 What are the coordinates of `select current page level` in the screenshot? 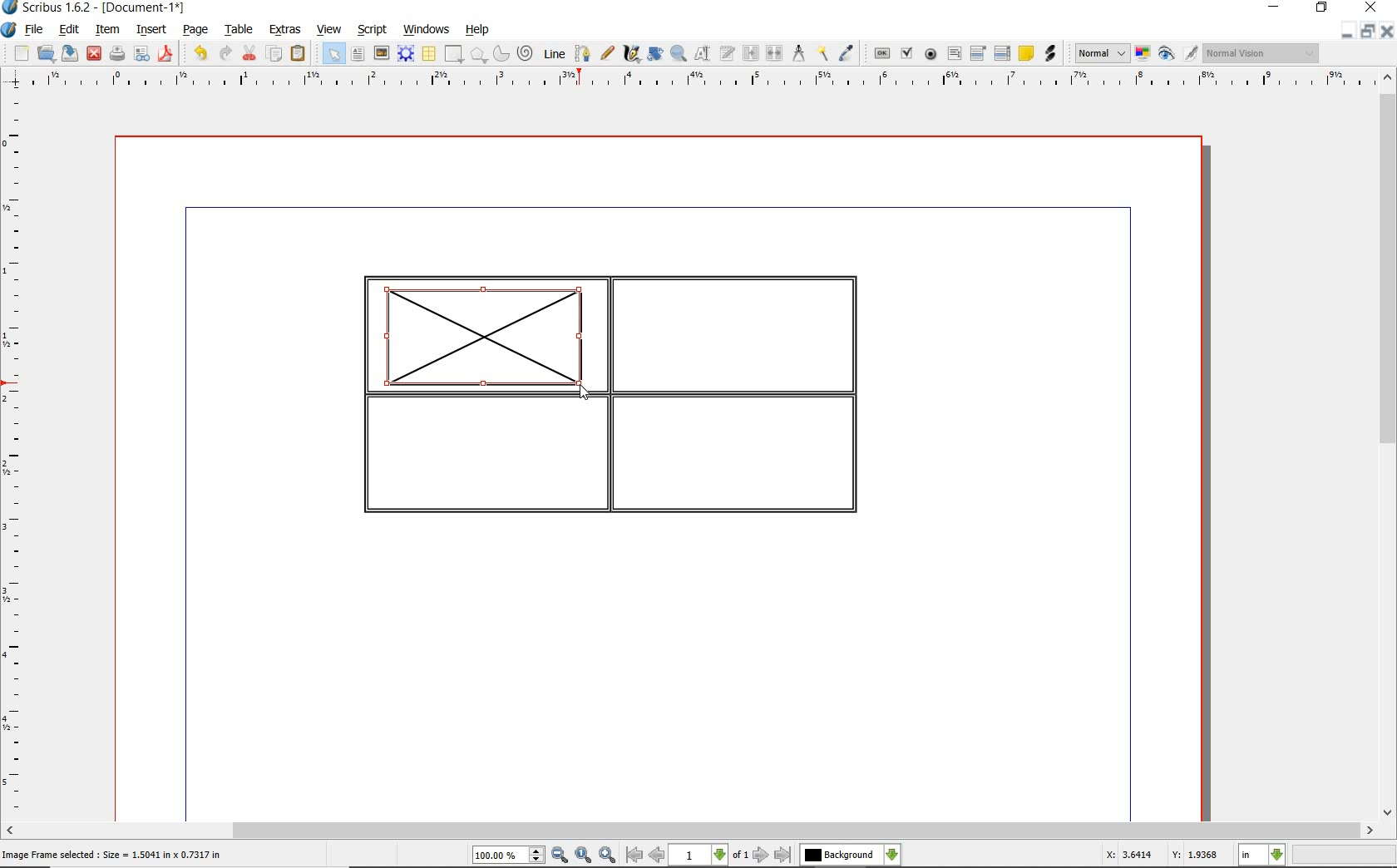 It's located at (709, 855).